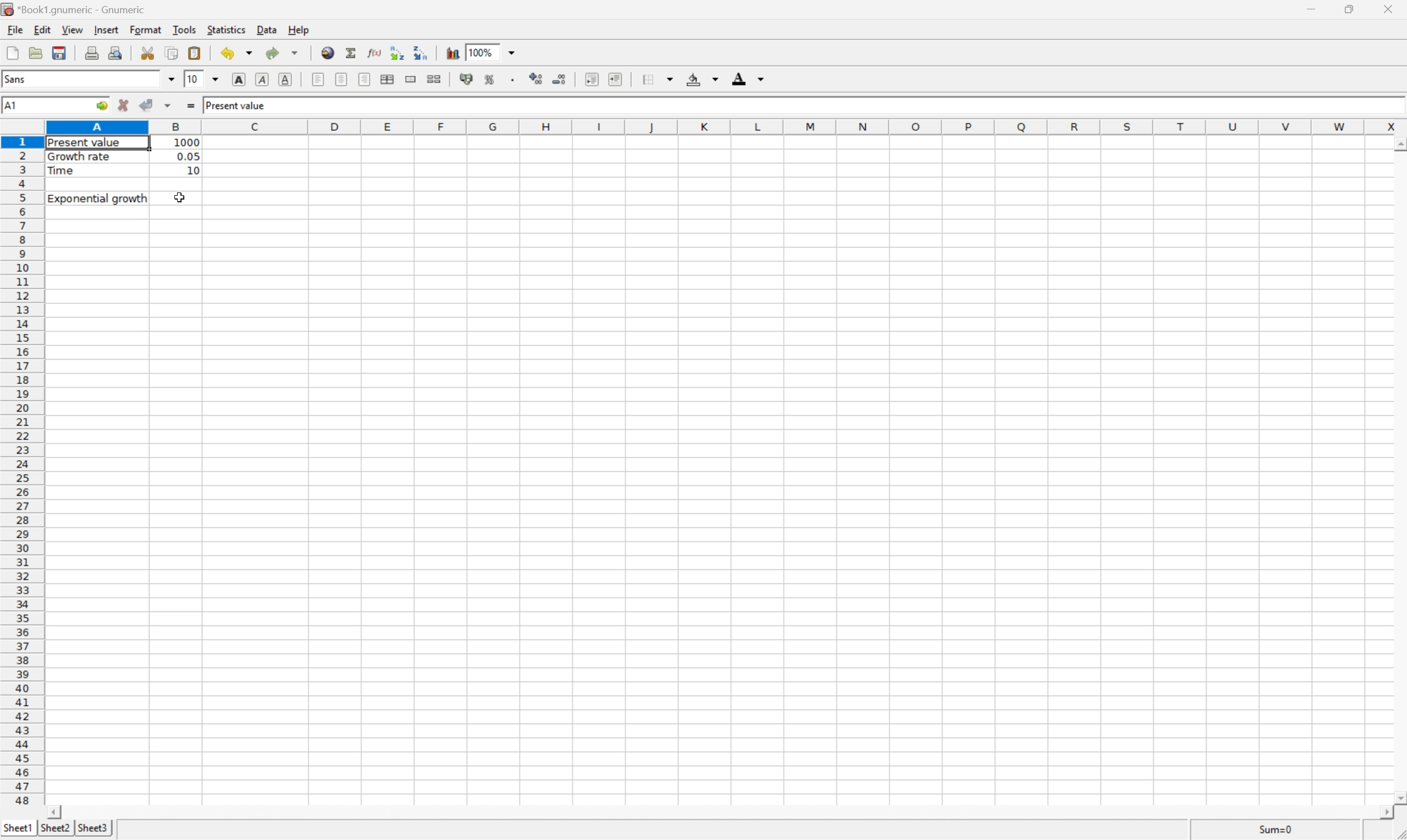 The height and width of the screenshot is (840, 1407). What do you see at coordinates (100, 198) in the screenshot?
I see `Exponential growth` at bounding box center [100, 198].